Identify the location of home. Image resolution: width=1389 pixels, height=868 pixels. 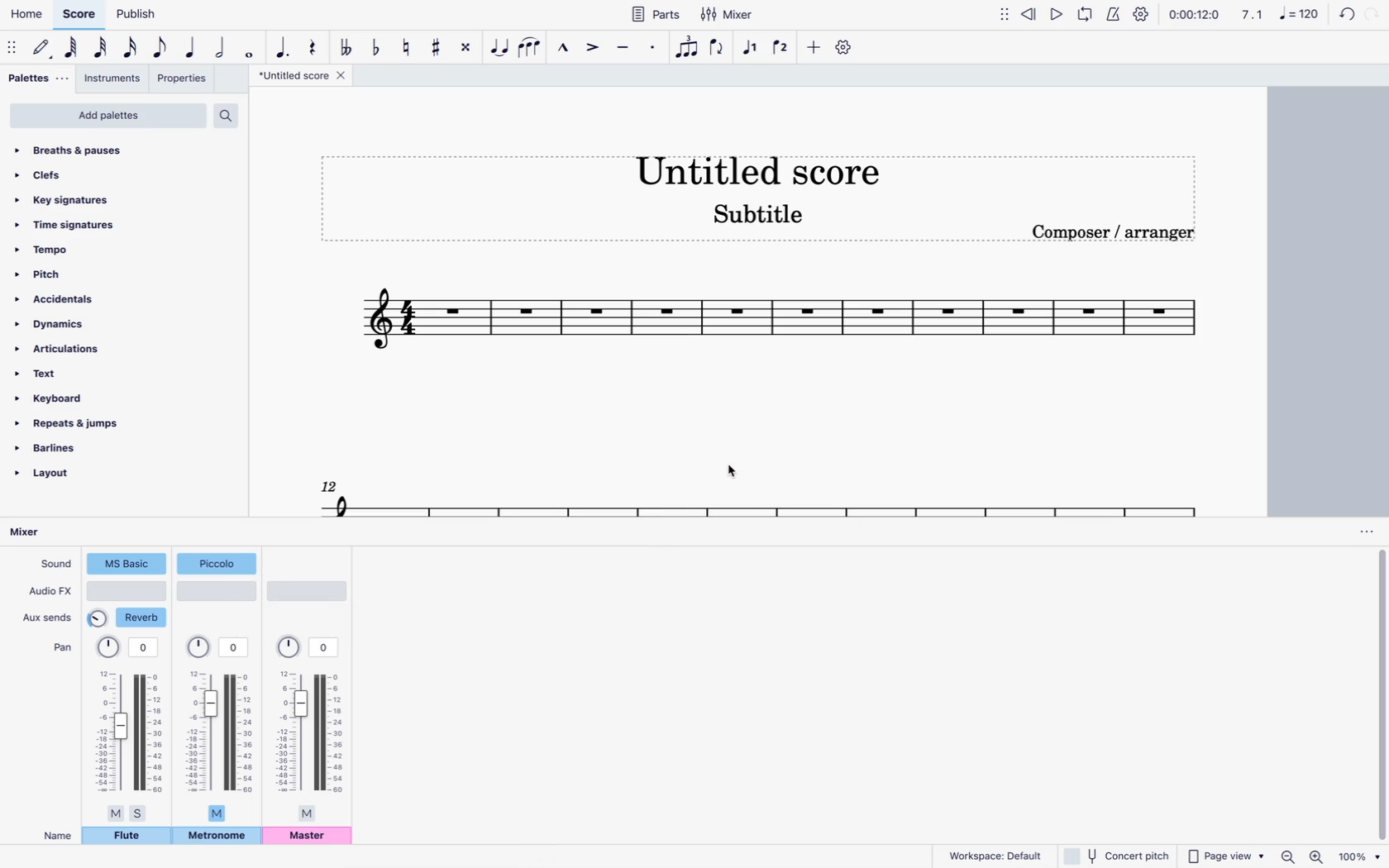
(26, 17).